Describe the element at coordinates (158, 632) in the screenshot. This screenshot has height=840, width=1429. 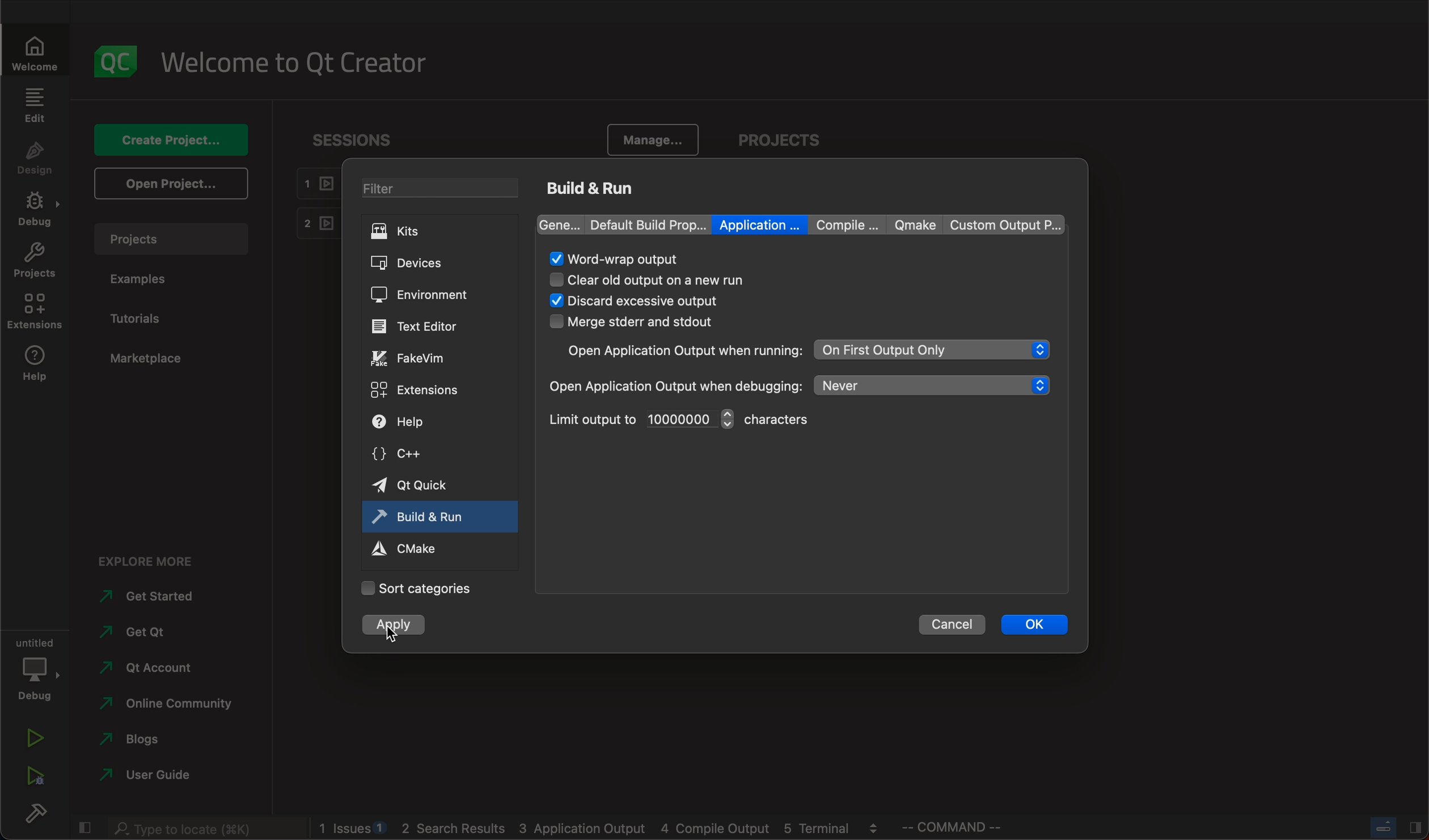
I see `get ` at that location.